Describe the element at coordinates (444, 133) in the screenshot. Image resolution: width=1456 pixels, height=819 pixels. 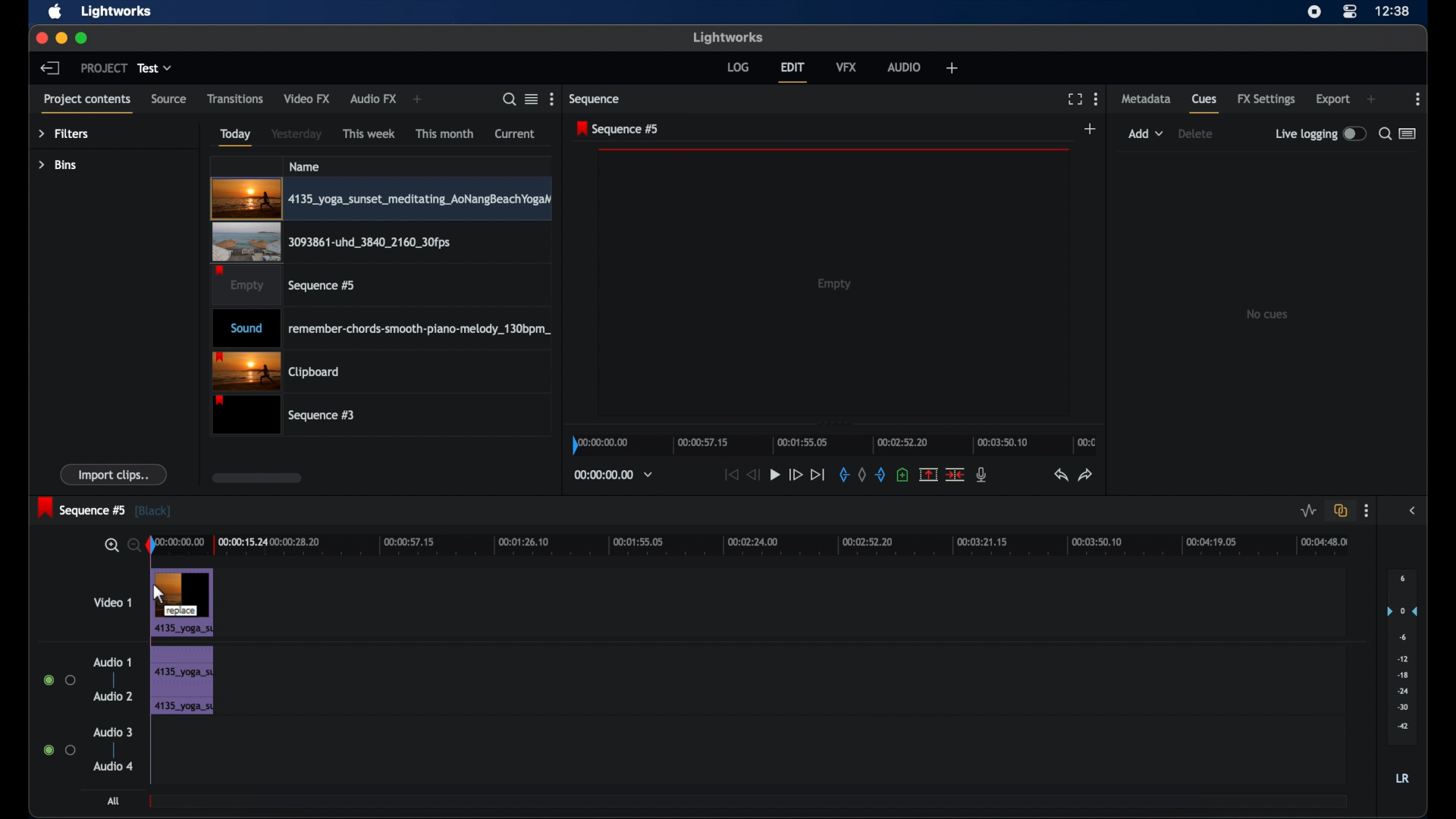
I see `this month` at that location.